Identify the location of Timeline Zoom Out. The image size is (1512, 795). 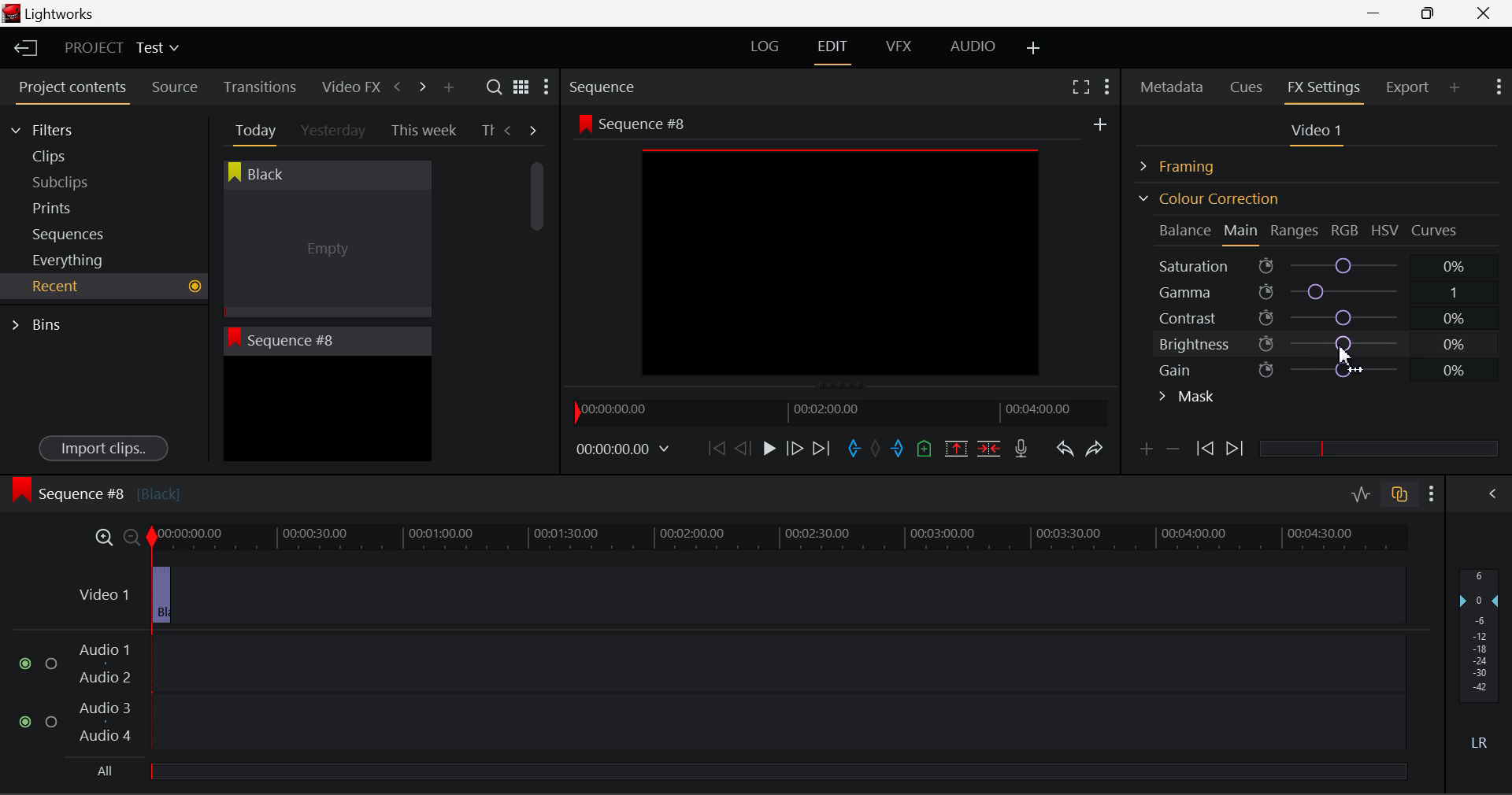
(131, 537).